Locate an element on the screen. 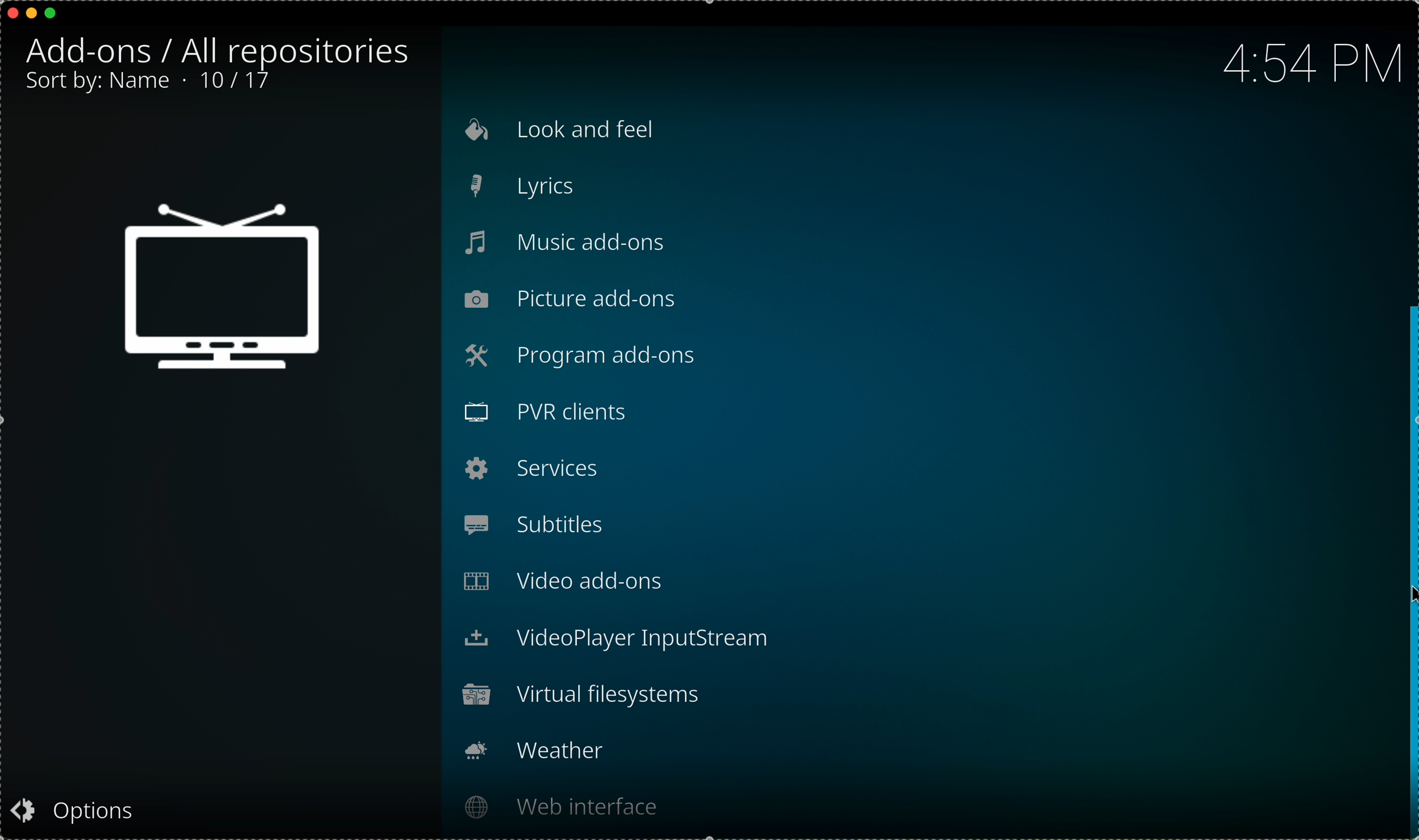 The image size is (1419, 840). PVR clients is located at coordinates (566, 413).